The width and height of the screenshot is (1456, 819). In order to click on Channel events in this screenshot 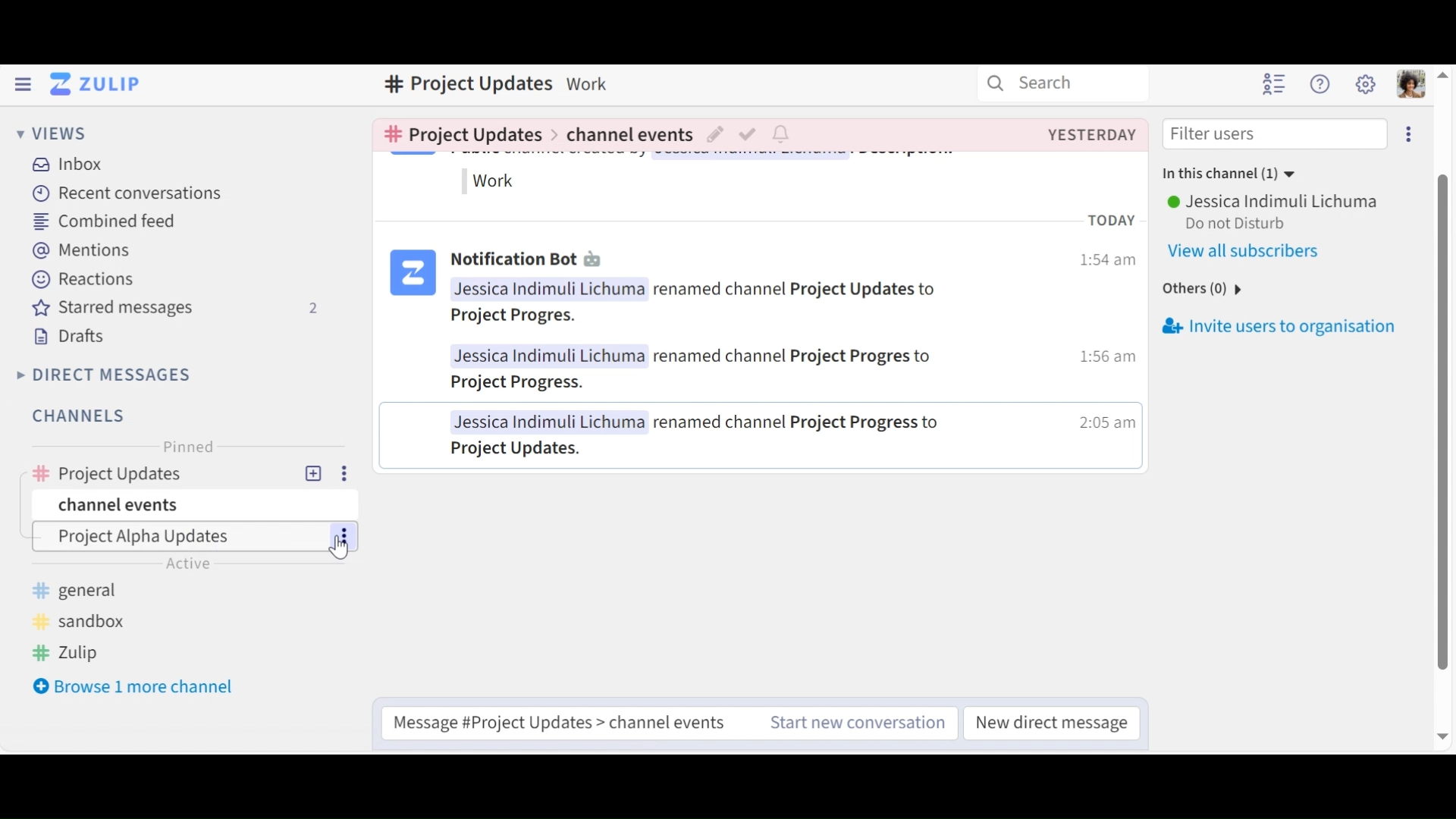, I will do `click(194, 503)`.